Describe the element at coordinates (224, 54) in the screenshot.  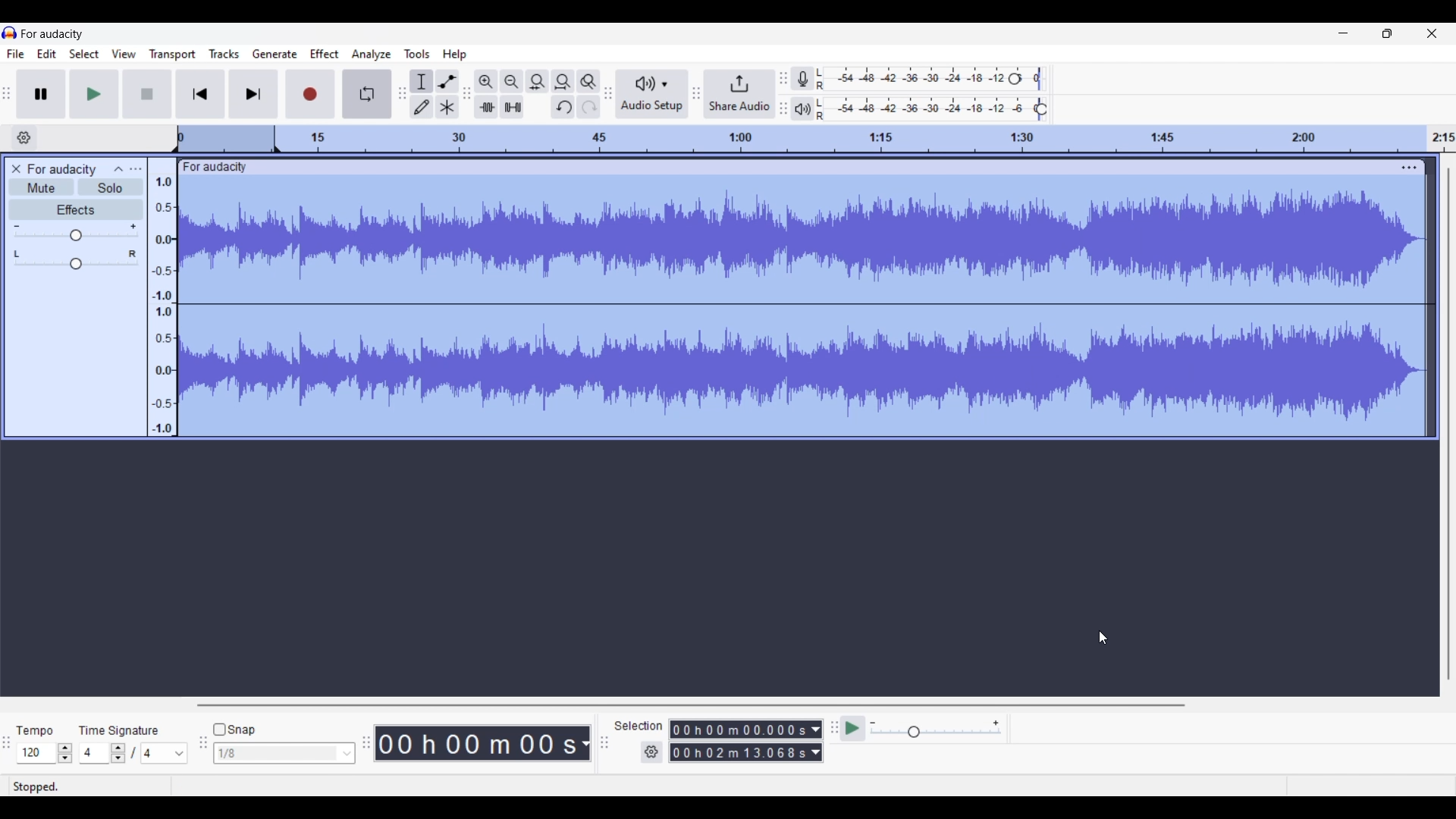
I see `Tracks menu` at that location.